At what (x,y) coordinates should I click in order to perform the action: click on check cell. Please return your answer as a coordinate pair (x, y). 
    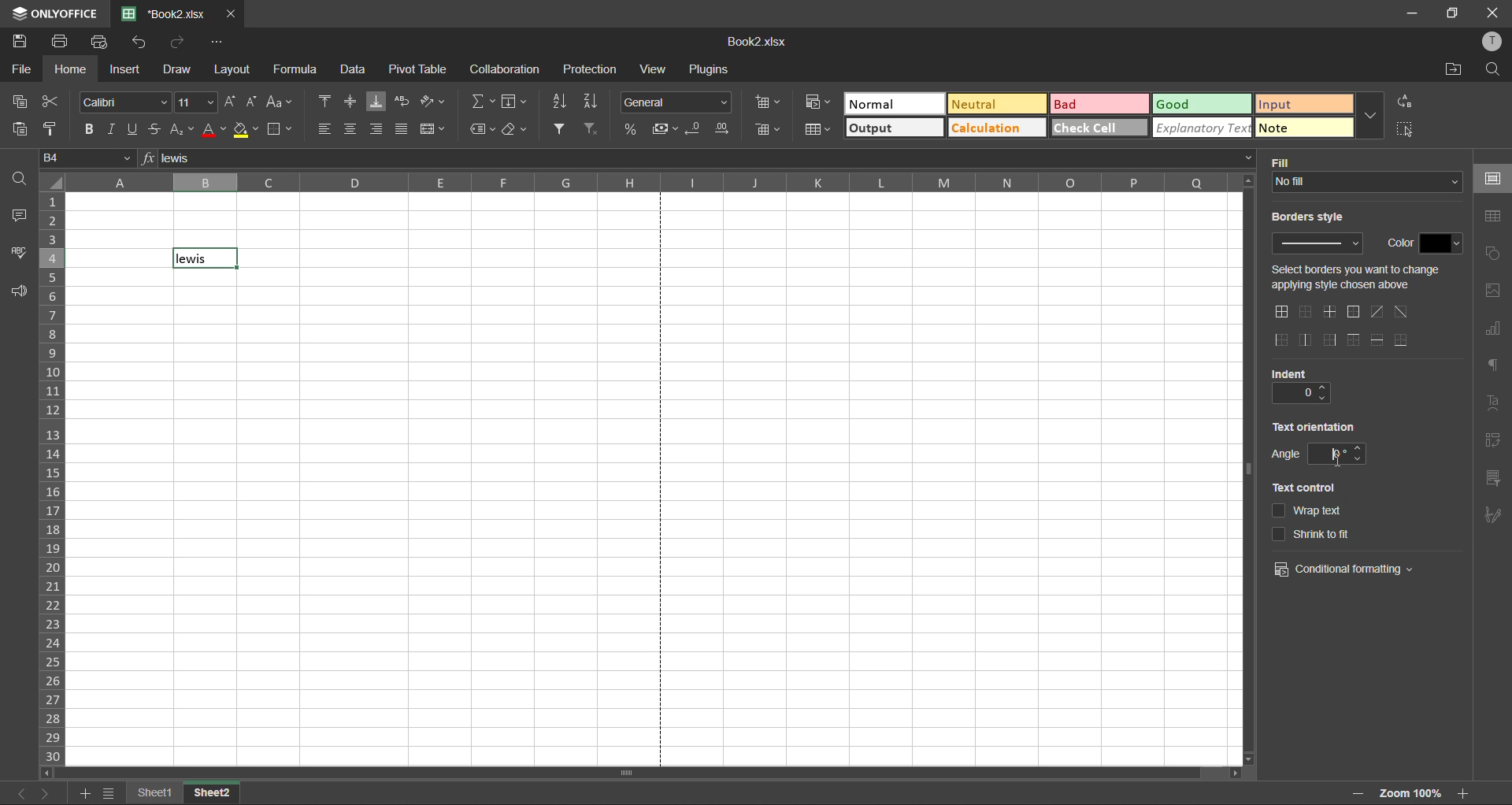
    Looking at the image, I should click on (1097, 130).